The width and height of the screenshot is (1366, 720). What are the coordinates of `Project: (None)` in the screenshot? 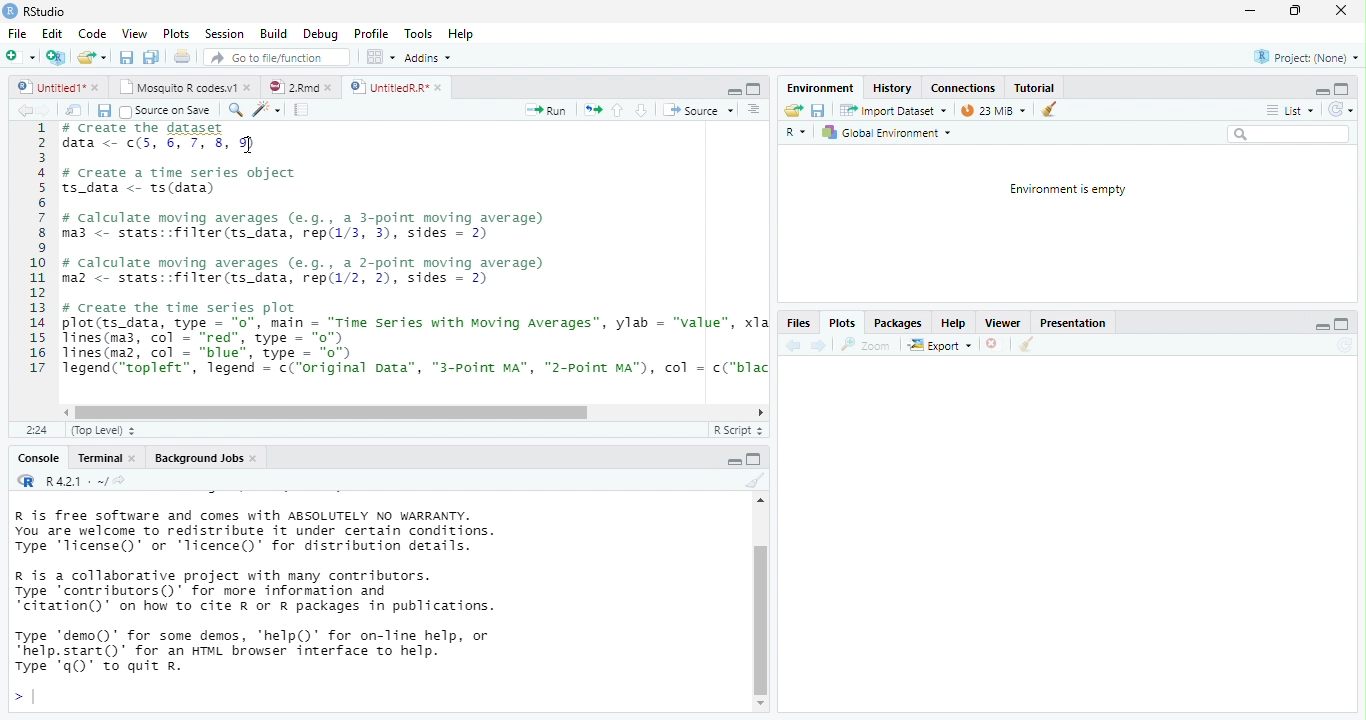 It's located at (1307, 58).